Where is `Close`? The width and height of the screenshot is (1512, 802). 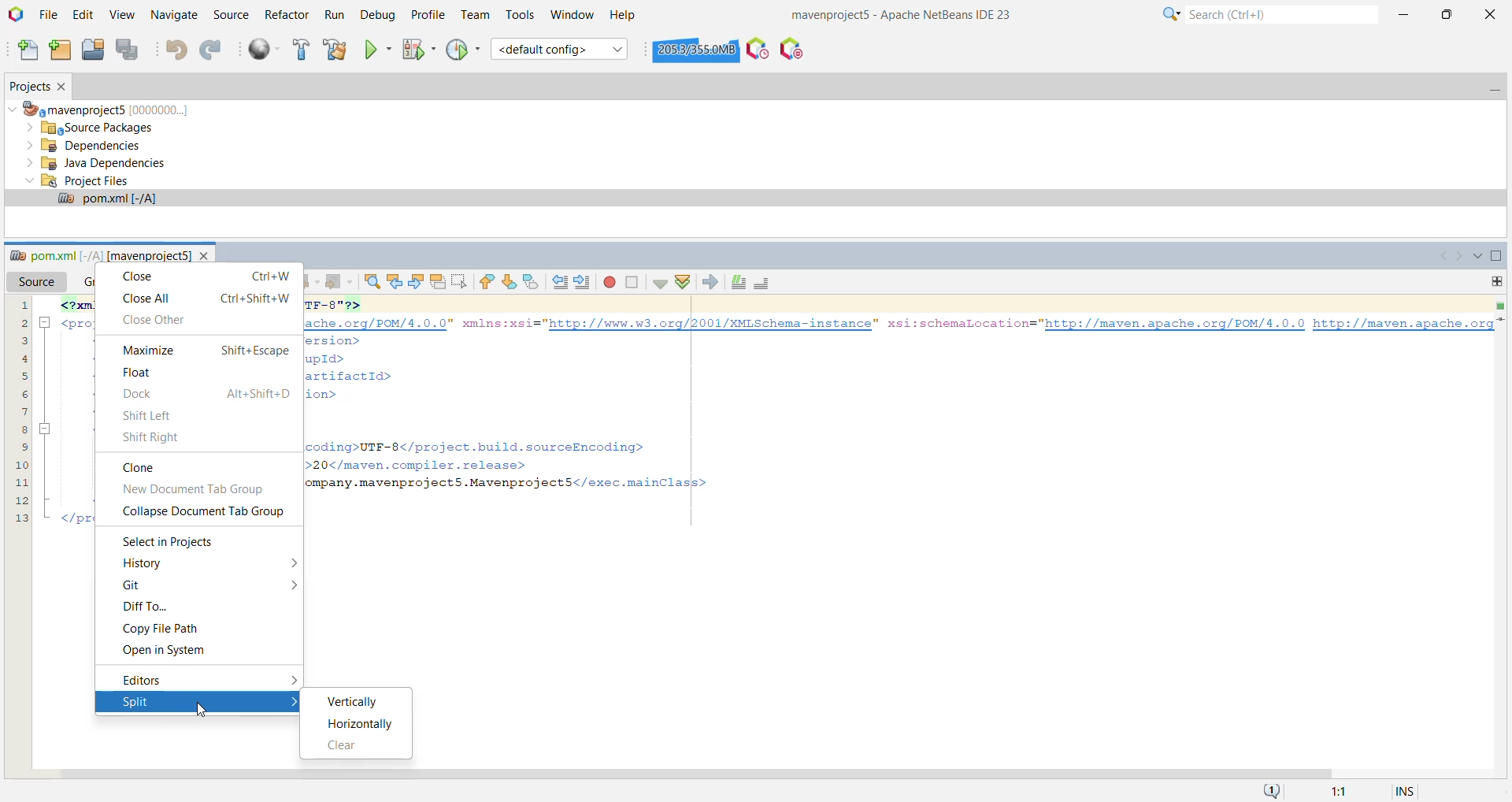 Close is located at coordinates (205, 277).